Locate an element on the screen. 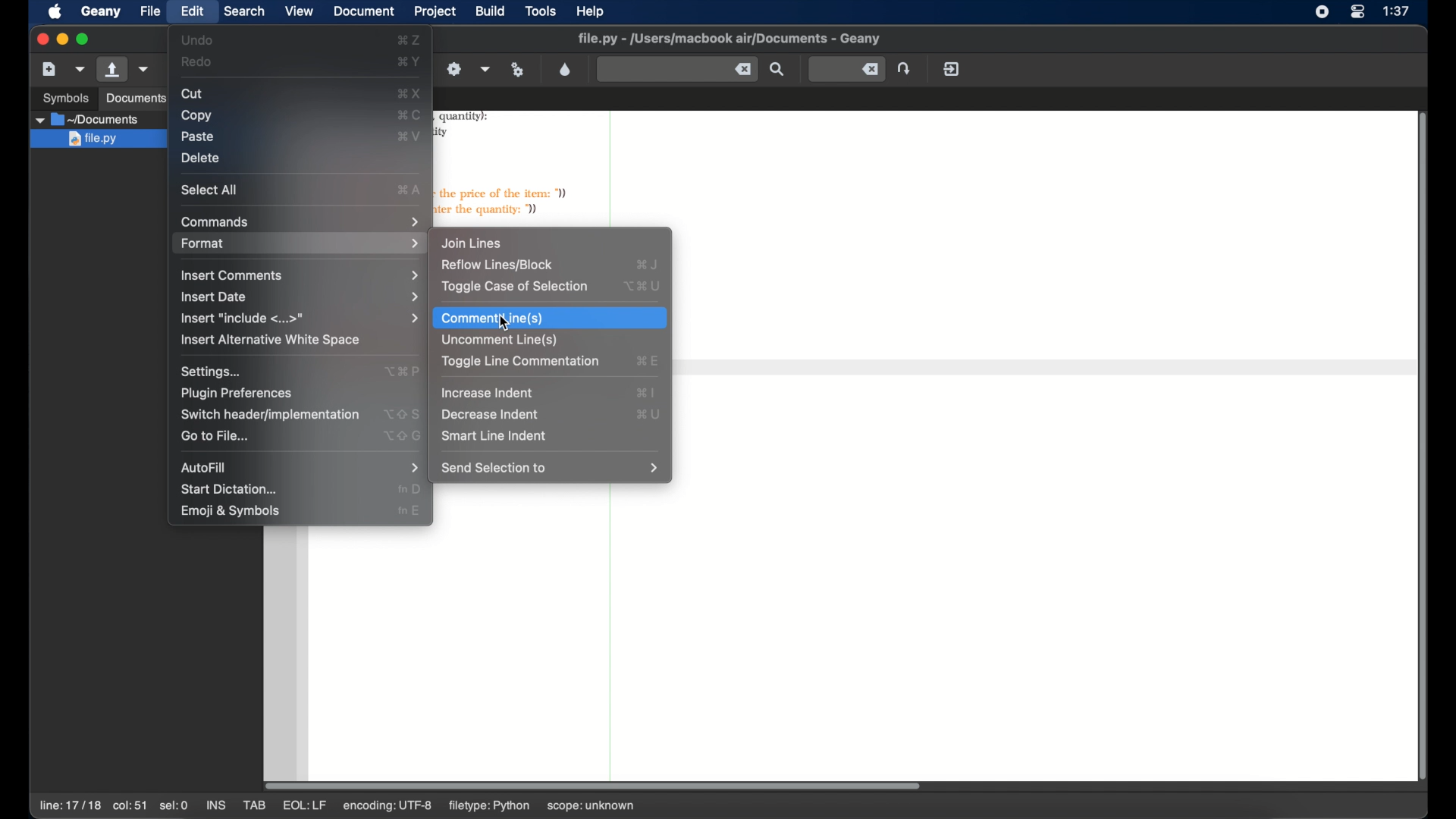 The height and width of the screenshot is (819, 1456). jump to the entered line number is located at coordinates (905, 68).